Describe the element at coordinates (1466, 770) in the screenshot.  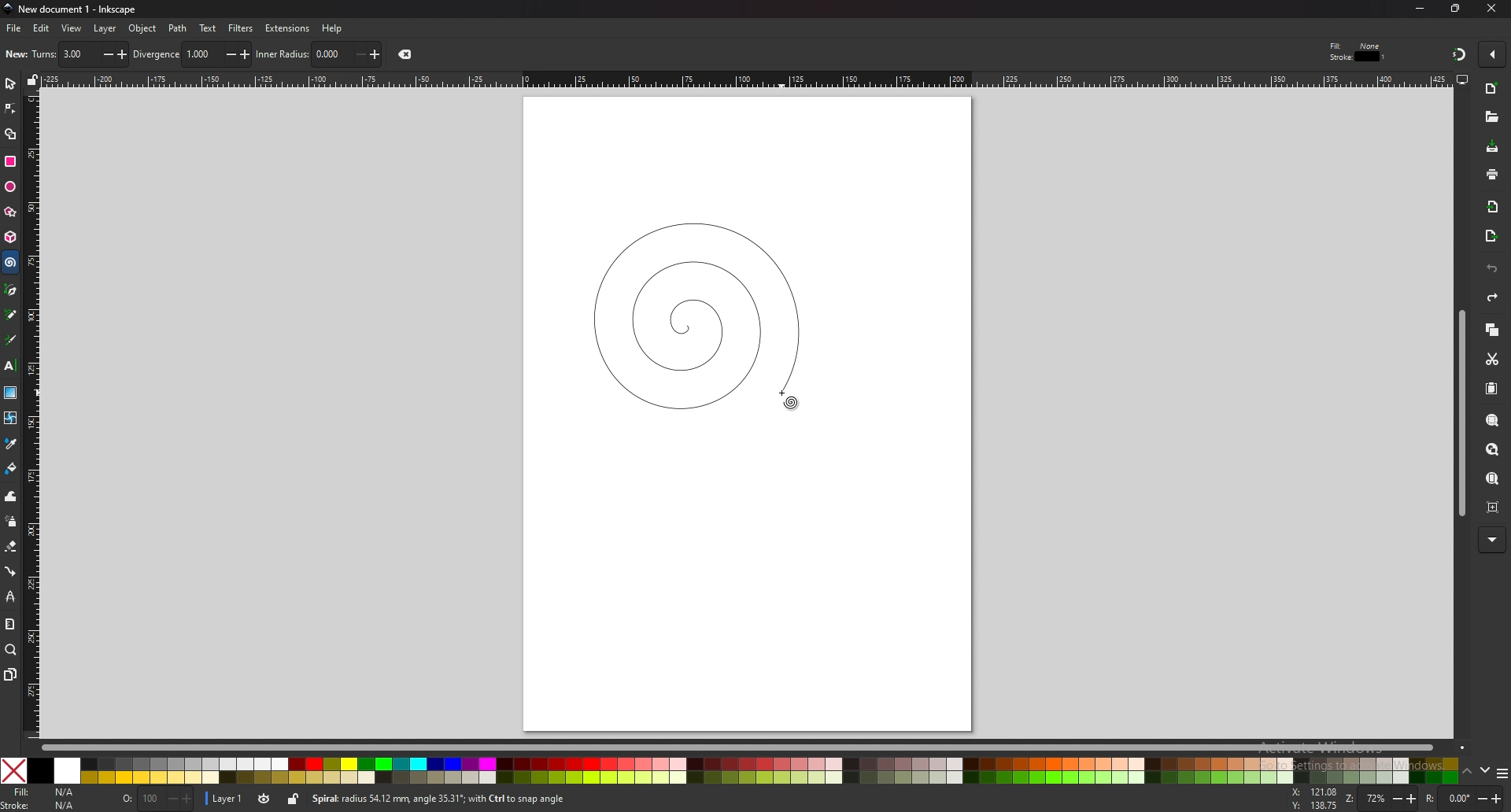
I see `up` at that location.